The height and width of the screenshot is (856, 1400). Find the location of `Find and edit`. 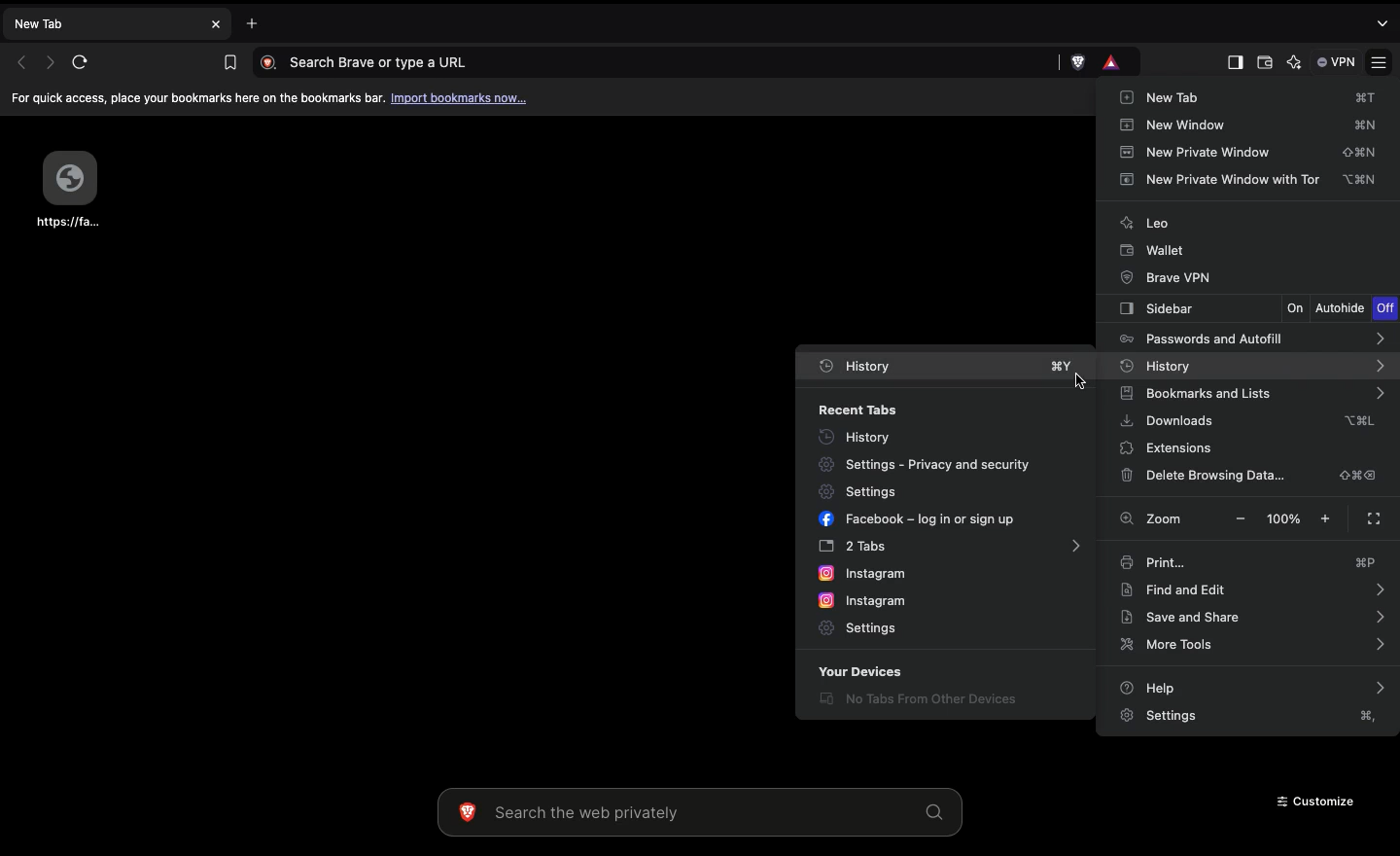

Find and edit is located at coordinates (1249, 590).